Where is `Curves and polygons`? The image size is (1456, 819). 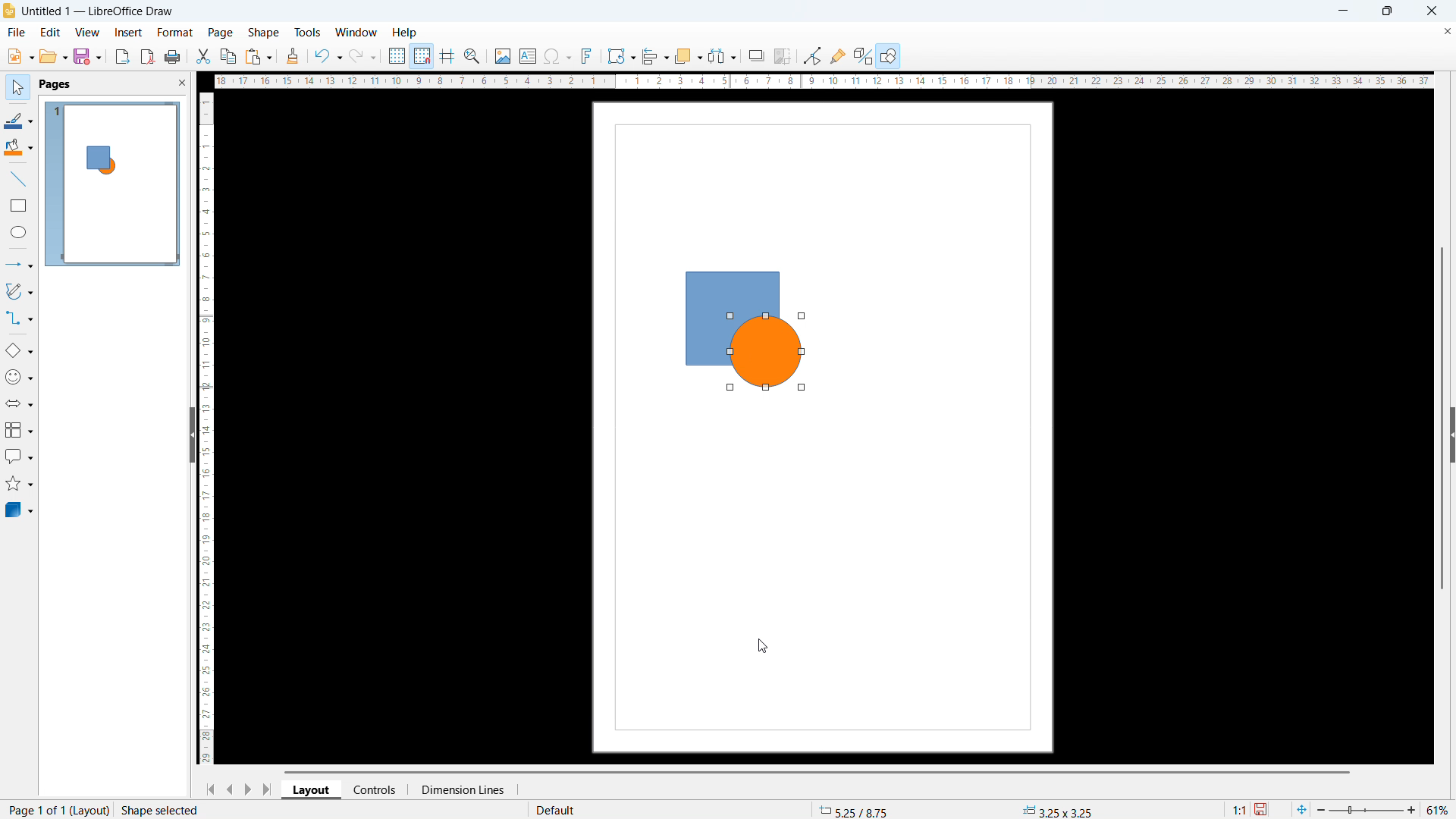 Curves and polygons is located at coordinates (18, 291).